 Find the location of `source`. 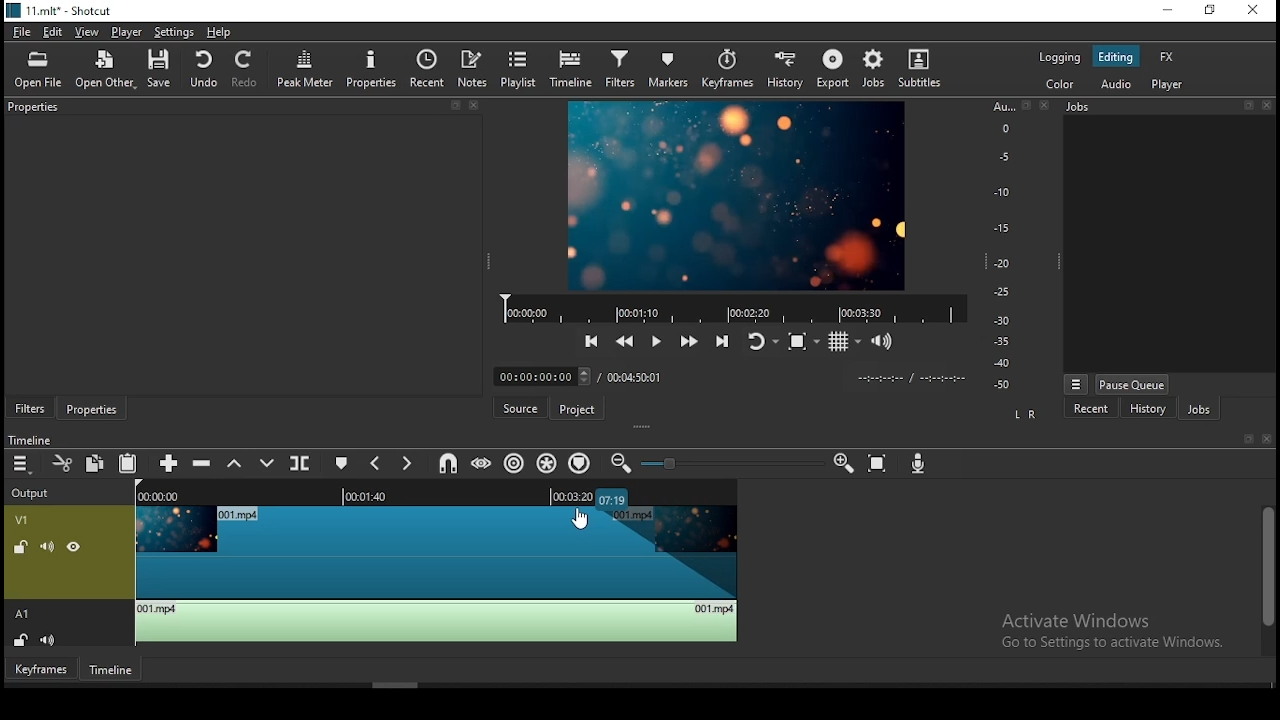

source is located at coordinates (519, 409).